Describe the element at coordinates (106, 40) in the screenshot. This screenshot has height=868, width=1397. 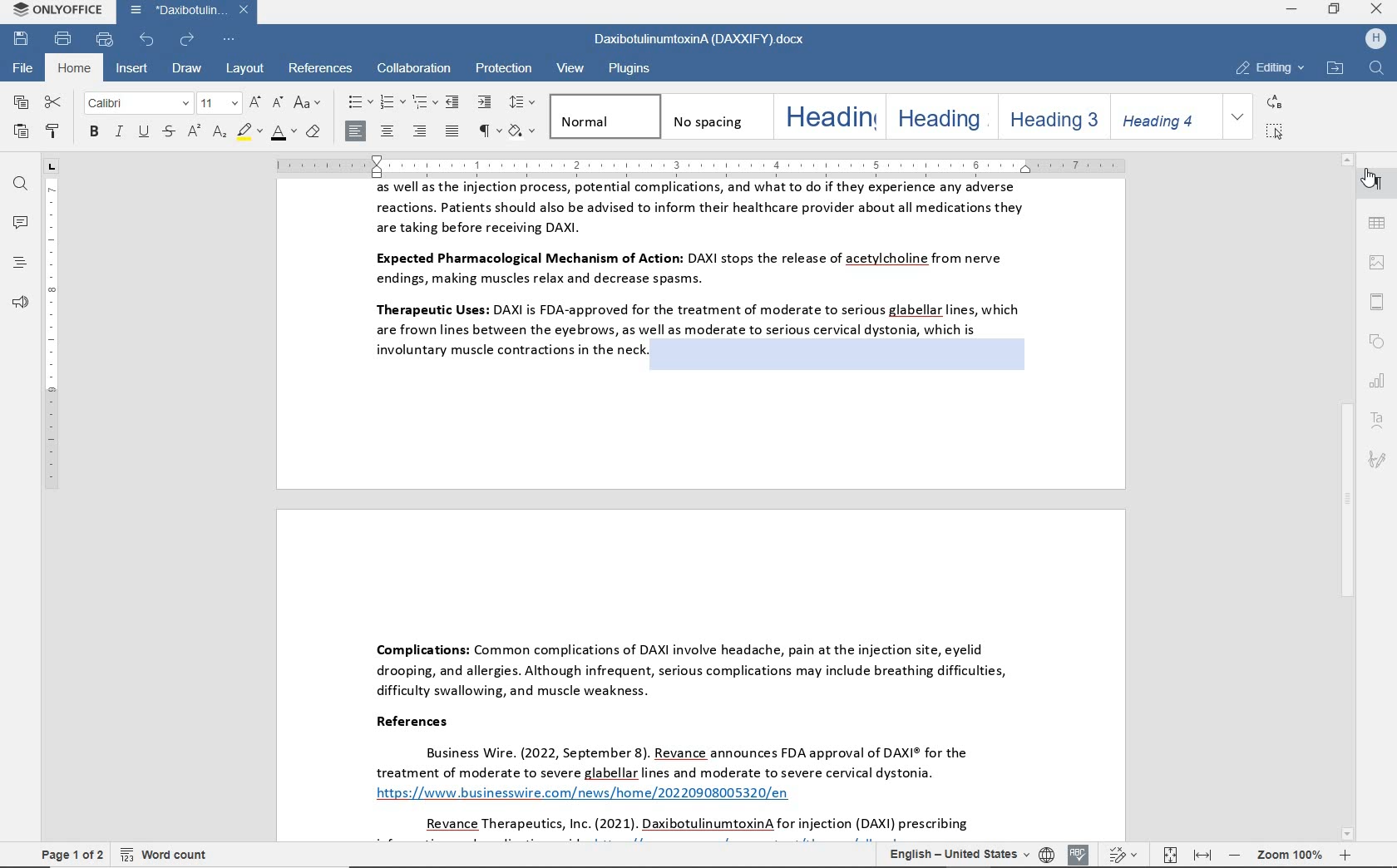
I see `quick print` at that location.